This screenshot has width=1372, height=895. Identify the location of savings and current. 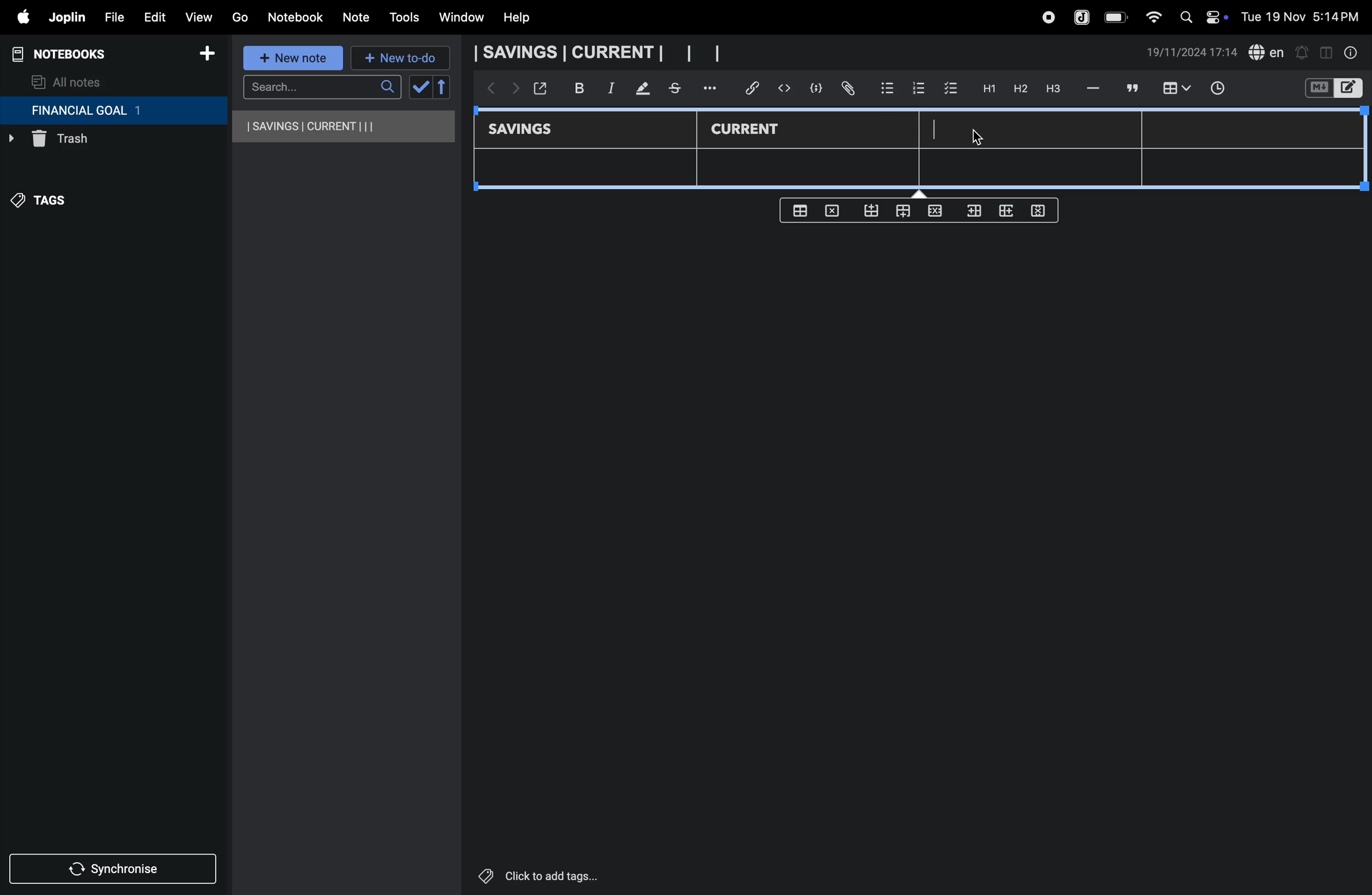
(601, 53).